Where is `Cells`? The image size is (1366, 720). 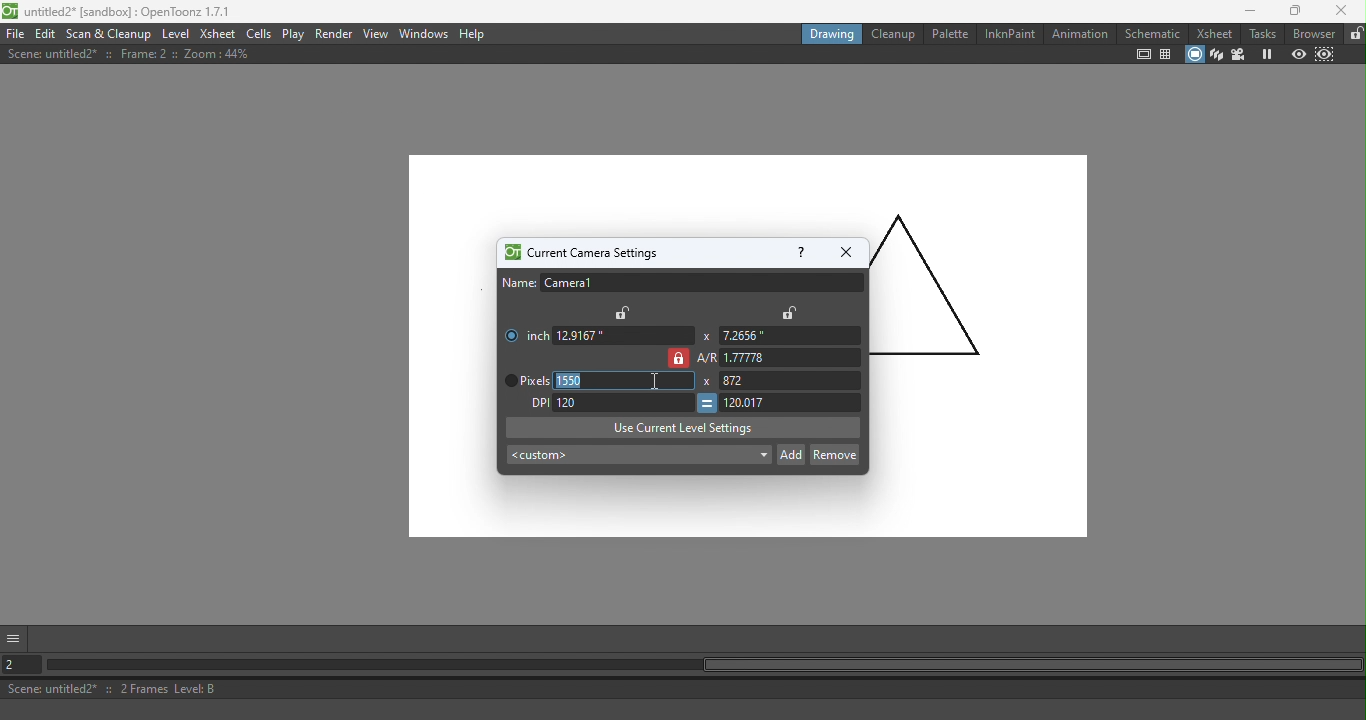
Cells is located at coordinates (258, 33).